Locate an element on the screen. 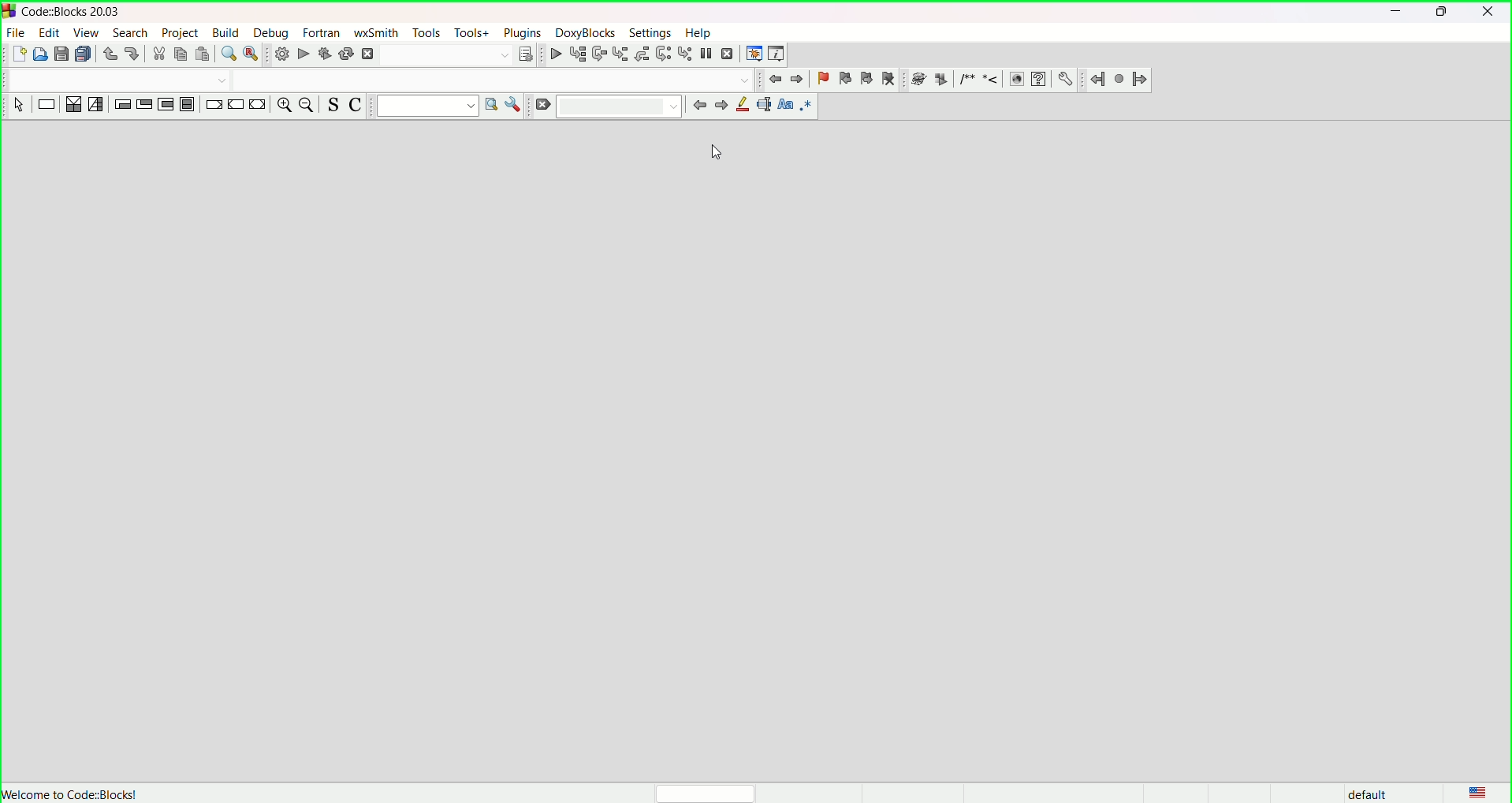 The width and height of the screenshot is (1512, 803). save is located at coordinates (63, 56).